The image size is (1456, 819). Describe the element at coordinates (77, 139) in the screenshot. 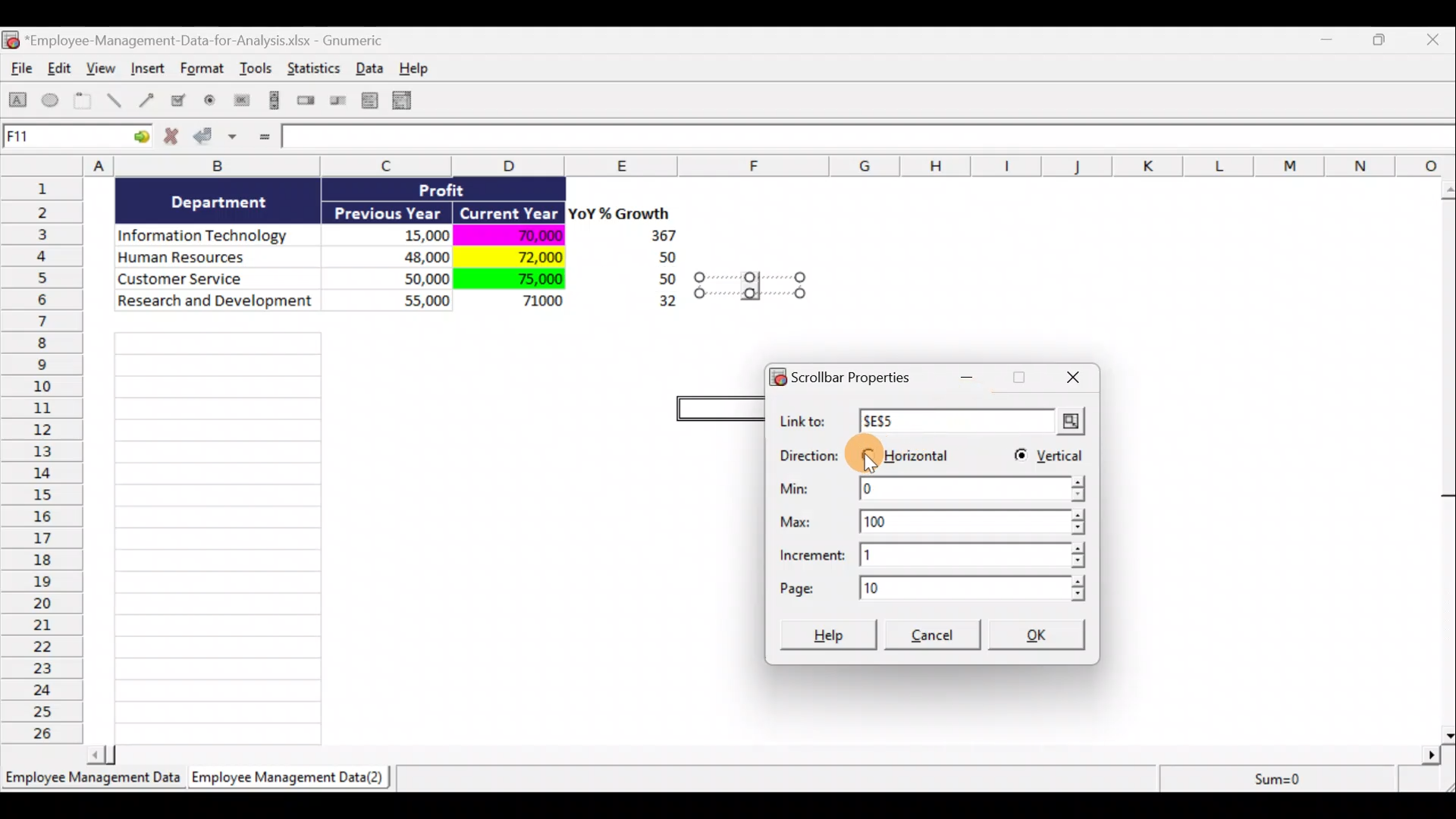

I see `Cell allocation` at that location.